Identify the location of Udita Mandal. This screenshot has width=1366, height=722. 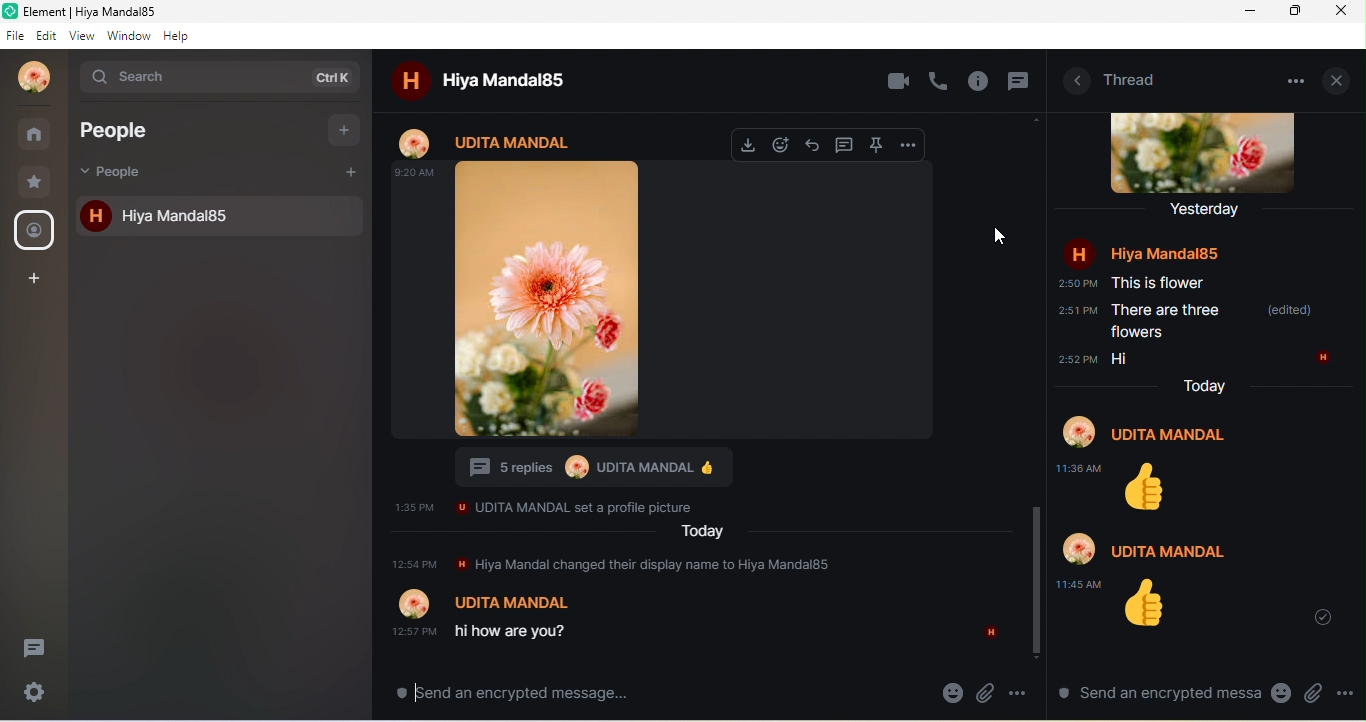
(515, 601).